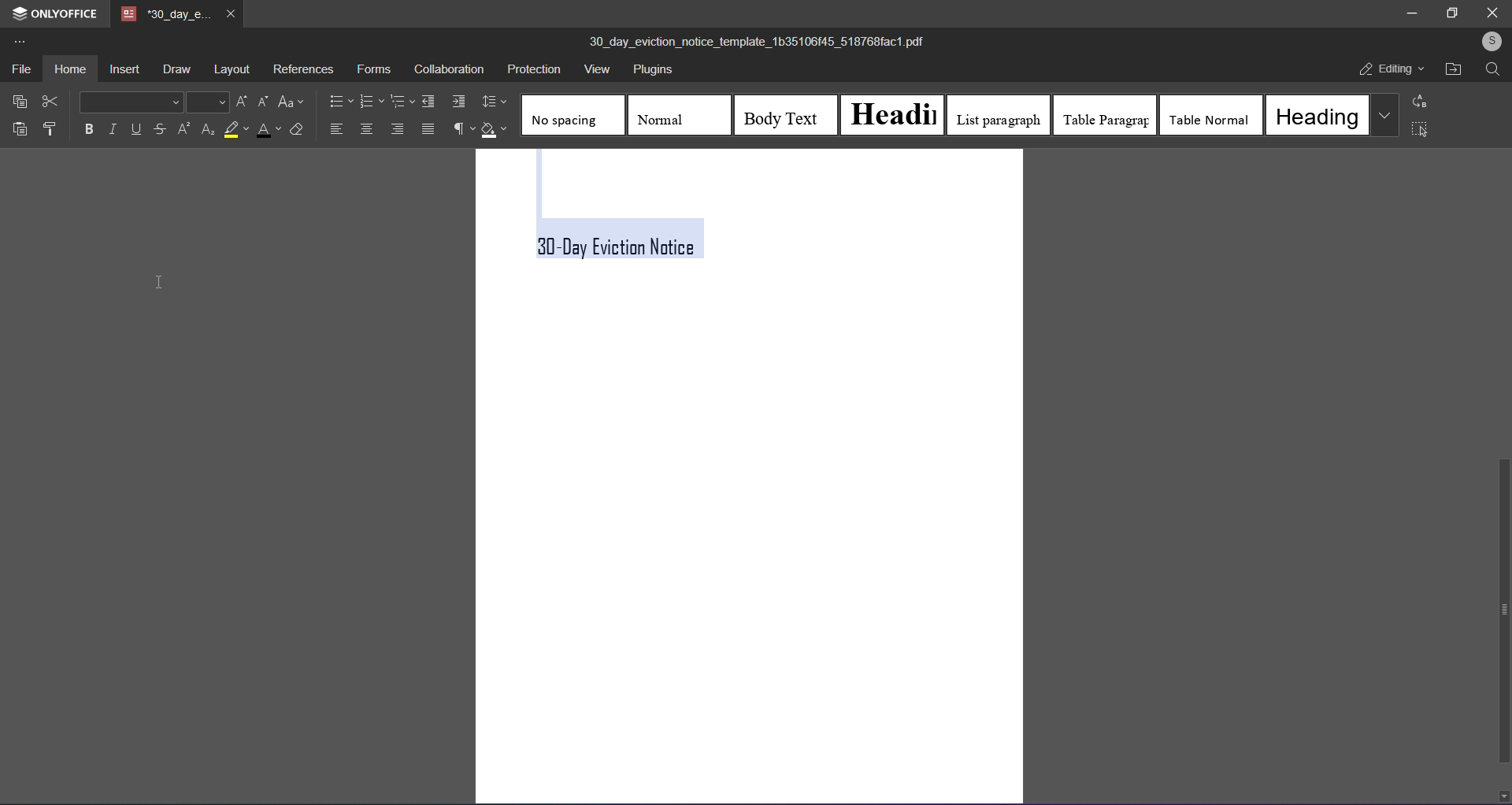  What do you see at coordinates (165, 14) in the screenshot?
I see `tab name` at bounding box center [165, 14].